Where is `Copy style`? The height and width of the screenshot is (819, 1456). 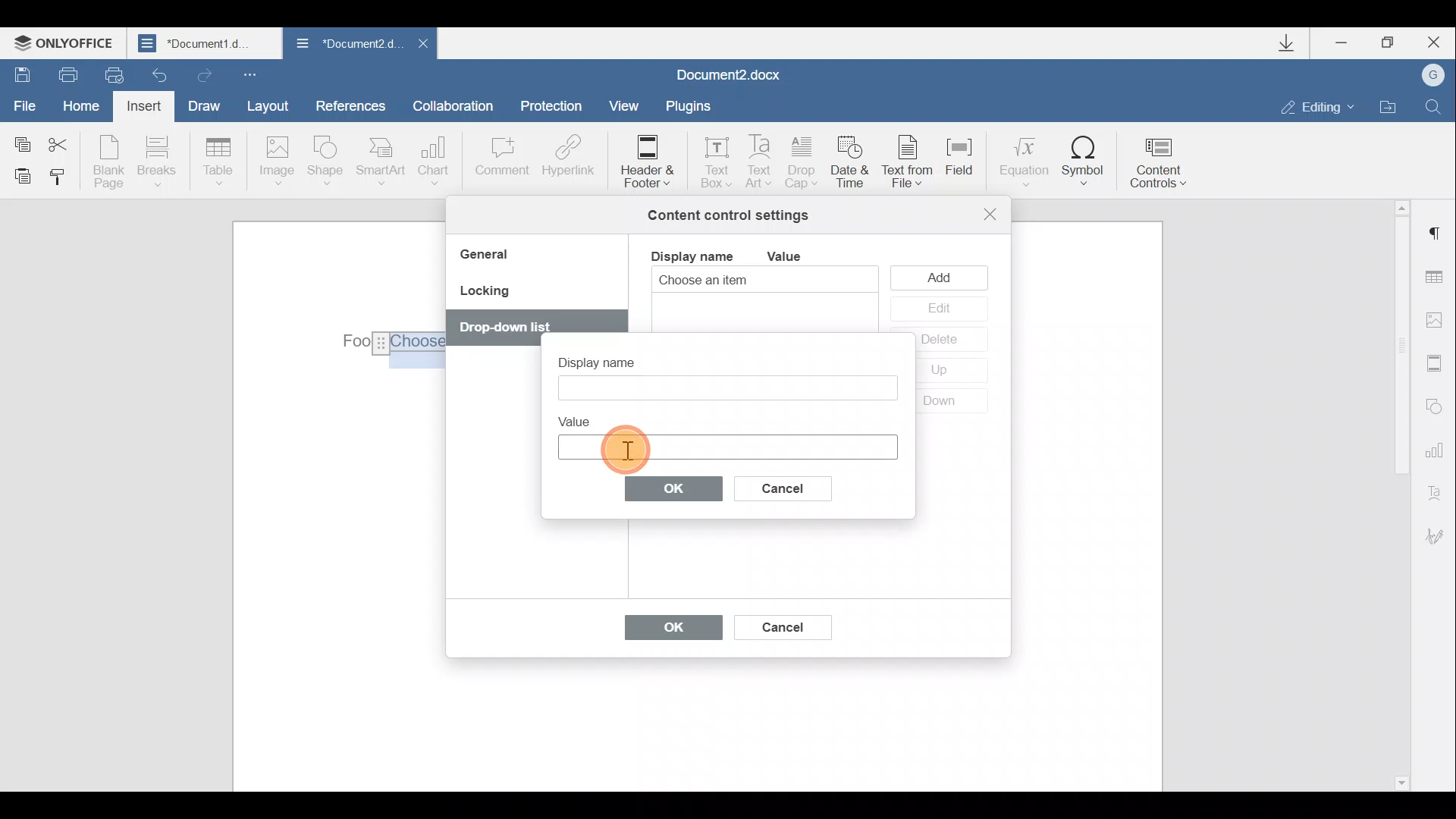
Copy style is located at coordinates (59, 180).